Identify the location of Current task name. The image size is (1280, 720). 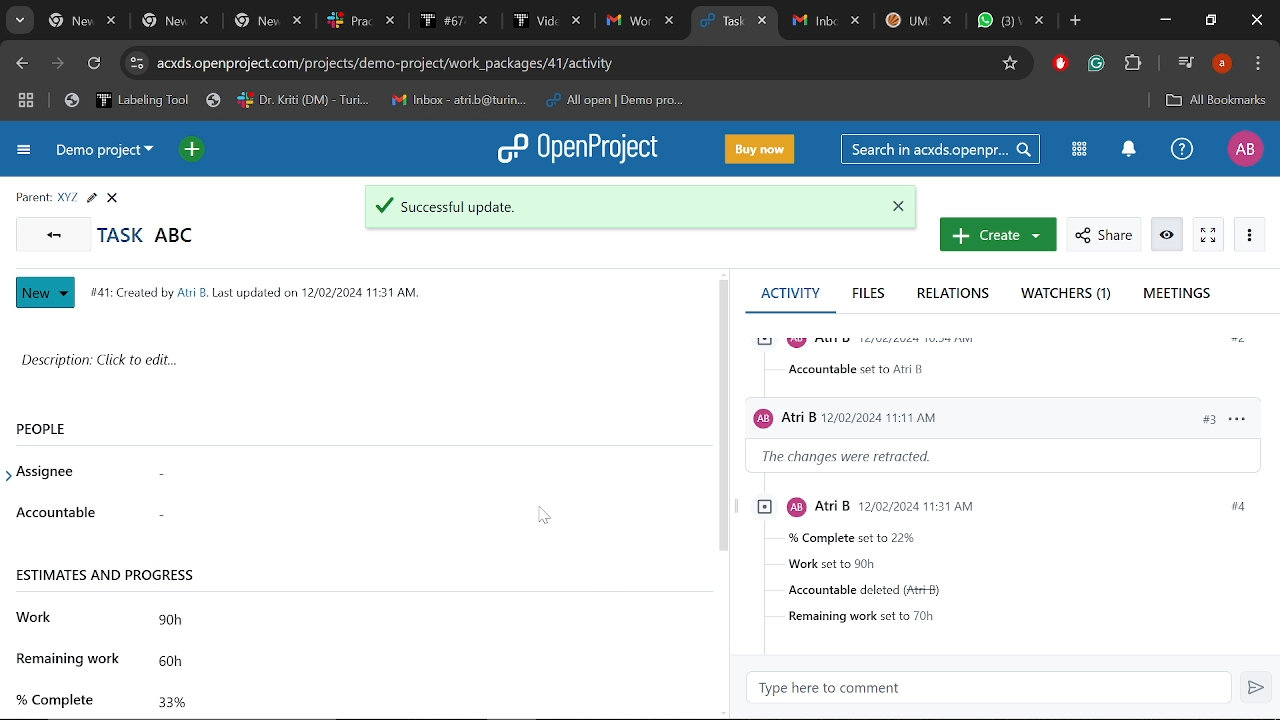
(153, 234).